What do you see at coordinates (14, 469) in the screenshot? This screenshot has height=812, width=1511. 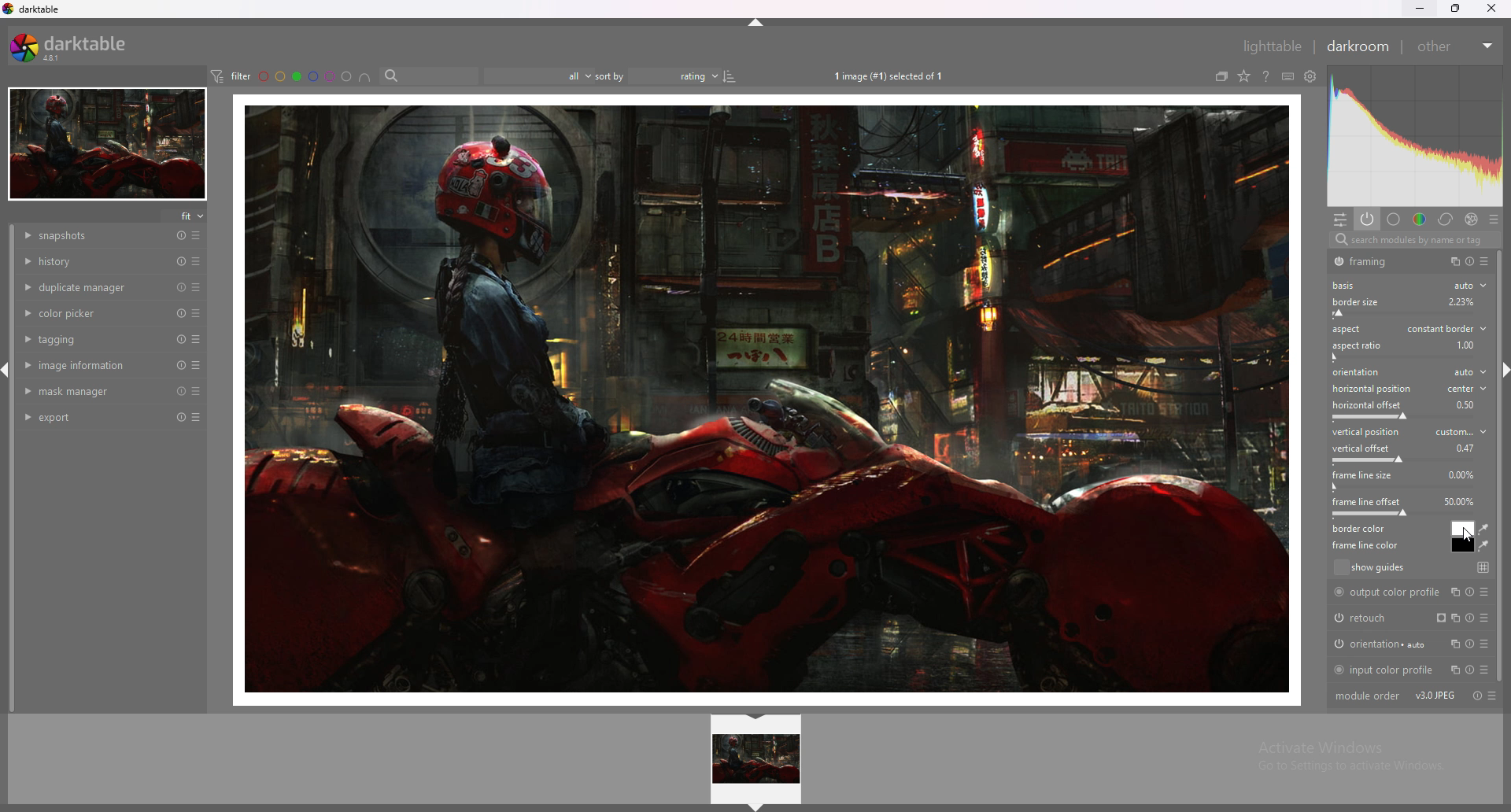 I see `scroll bar` at bounding box center [14, 469].